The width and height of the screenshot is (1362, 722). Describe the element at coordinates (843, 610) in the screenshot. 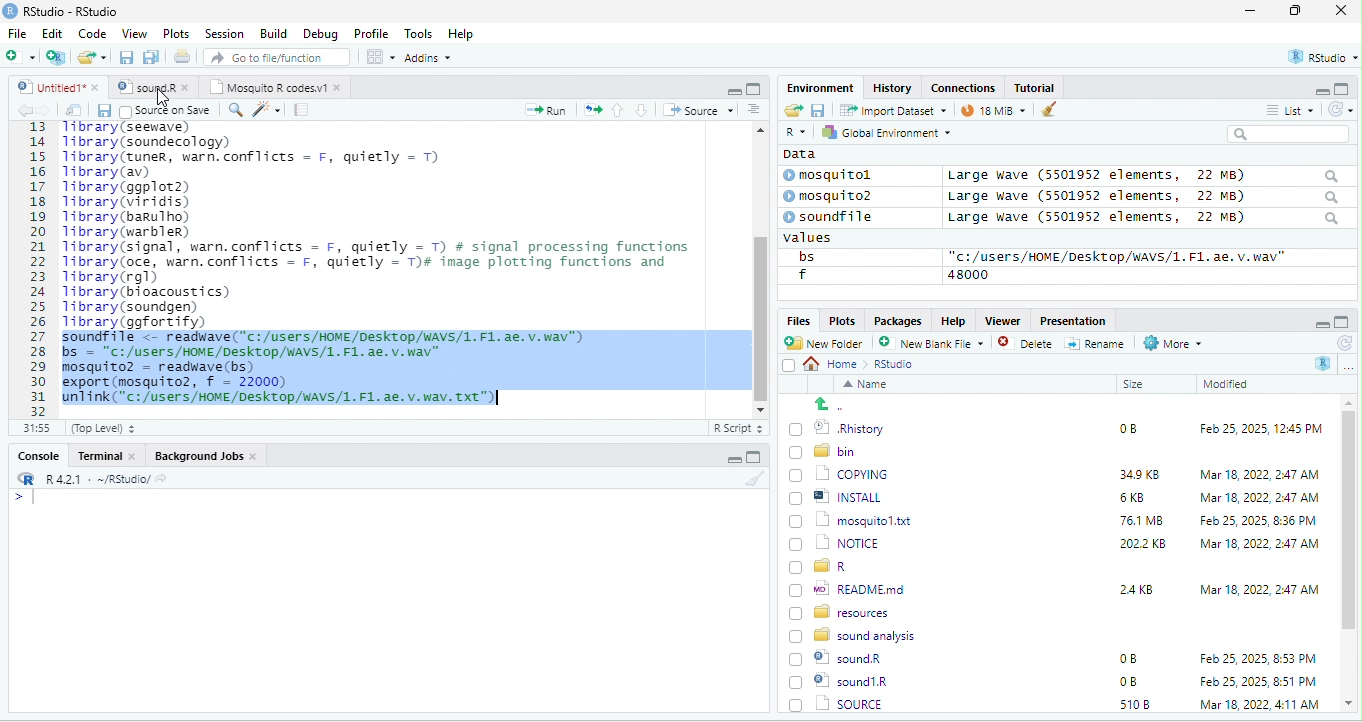

I see `BD resources` at that location.